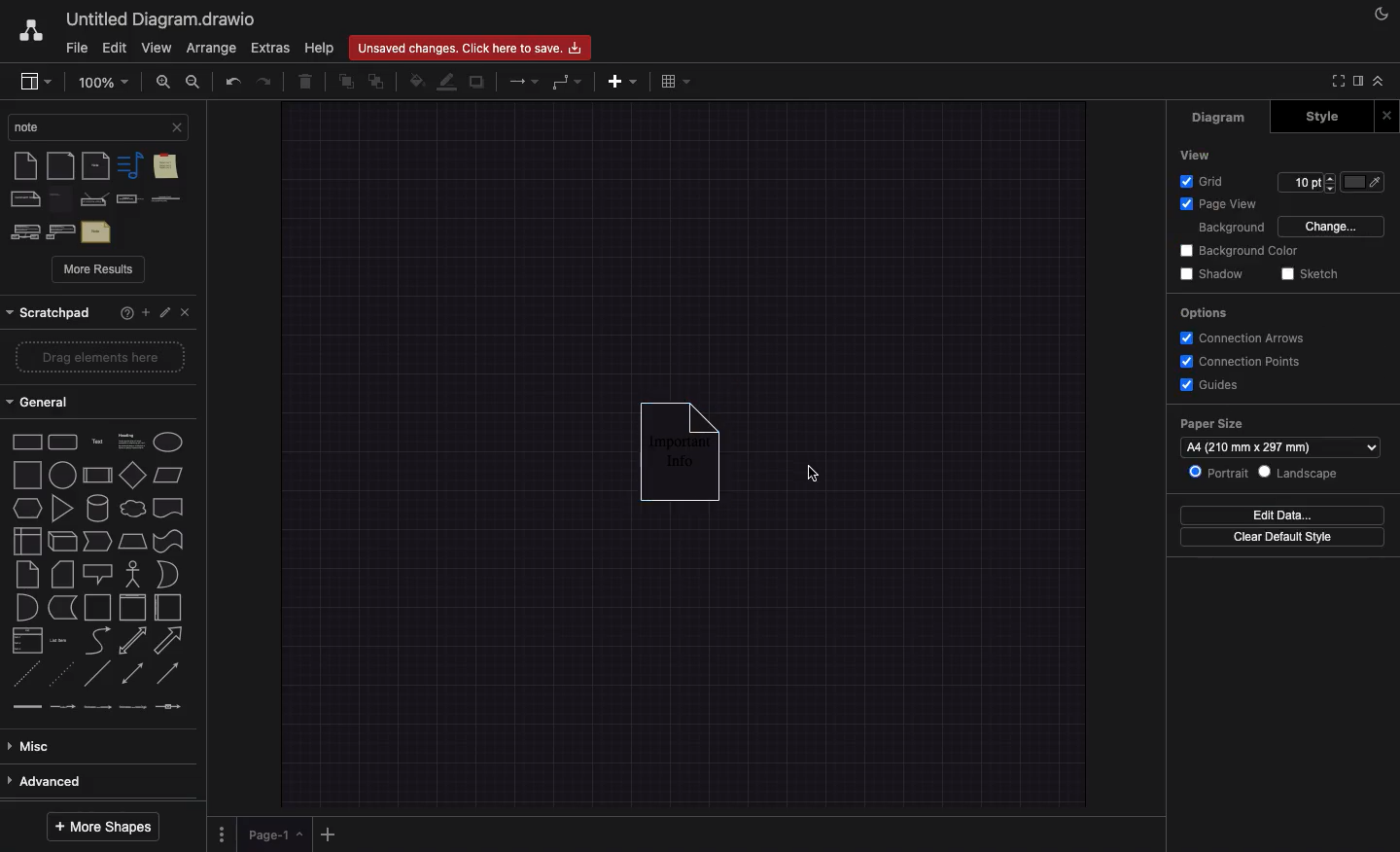 The height and width of the screenshot is (852, 1400). Describe the element at coordinates (25, 444) in the screenshot. I see `rectangle` at that location.